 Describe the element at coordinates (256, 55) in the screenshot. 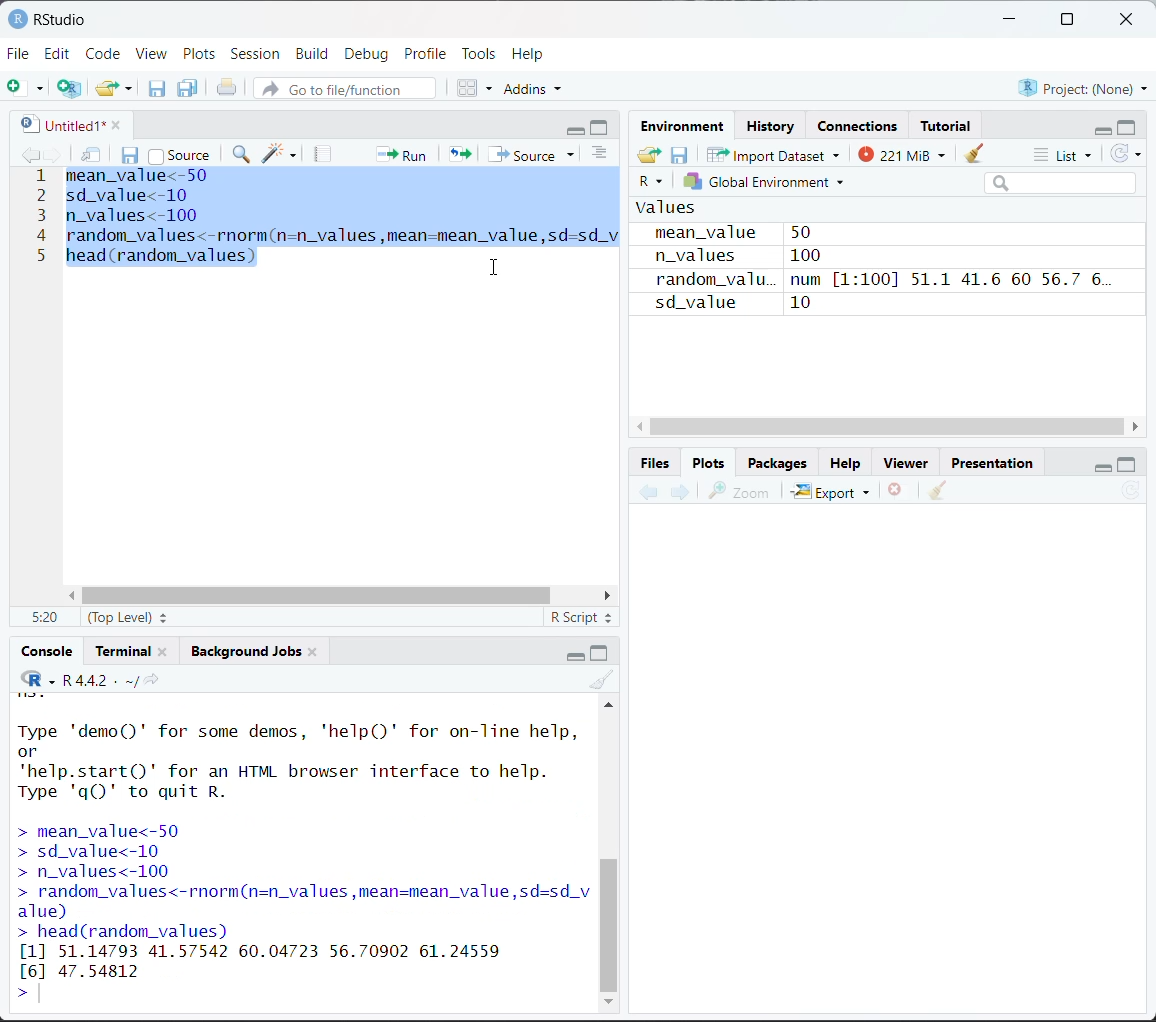

I see `Session` at that location.